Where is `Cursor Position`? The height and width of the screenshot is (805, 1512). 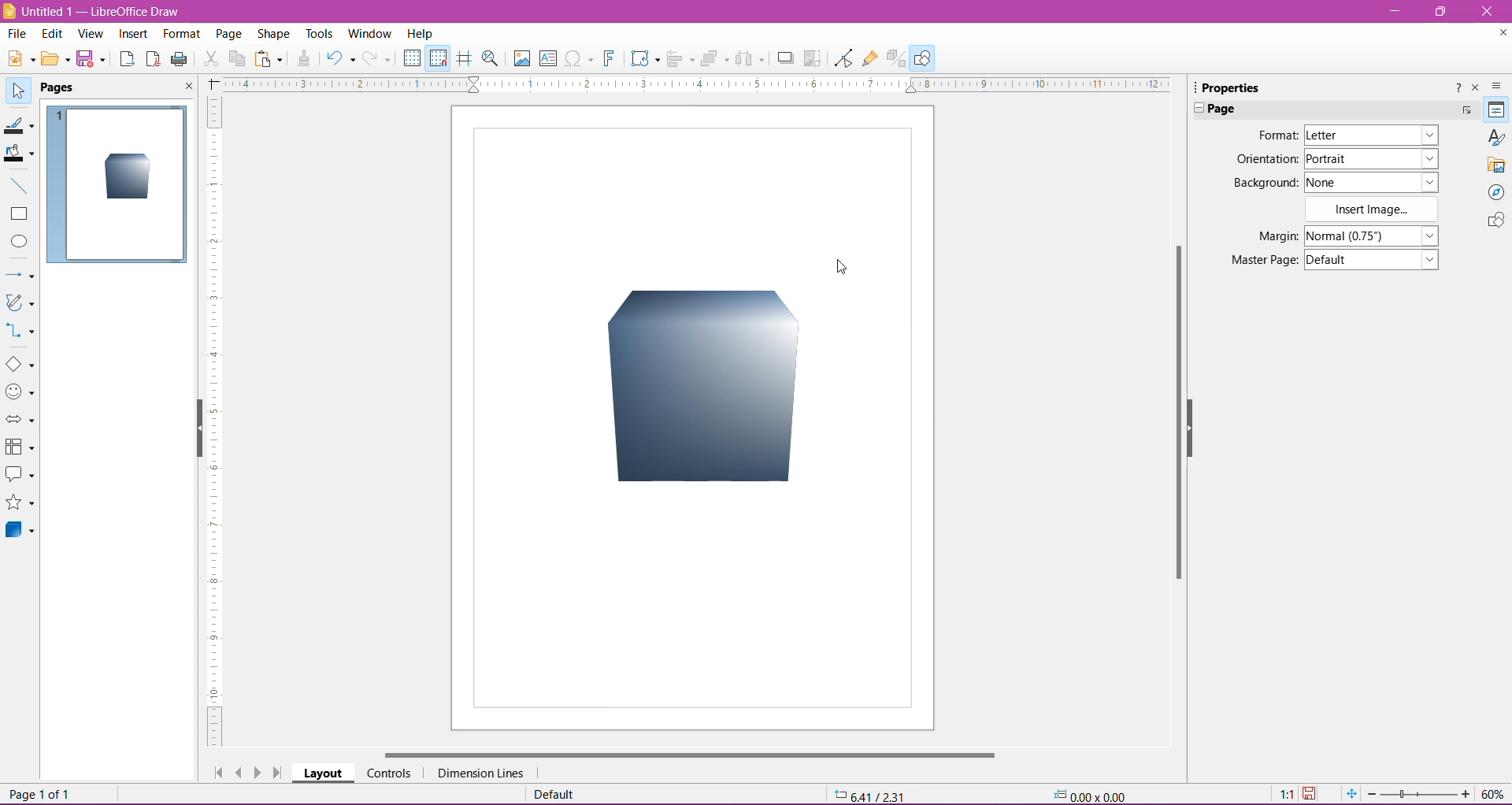
Cursor Position is located at coordinates (878, 796).